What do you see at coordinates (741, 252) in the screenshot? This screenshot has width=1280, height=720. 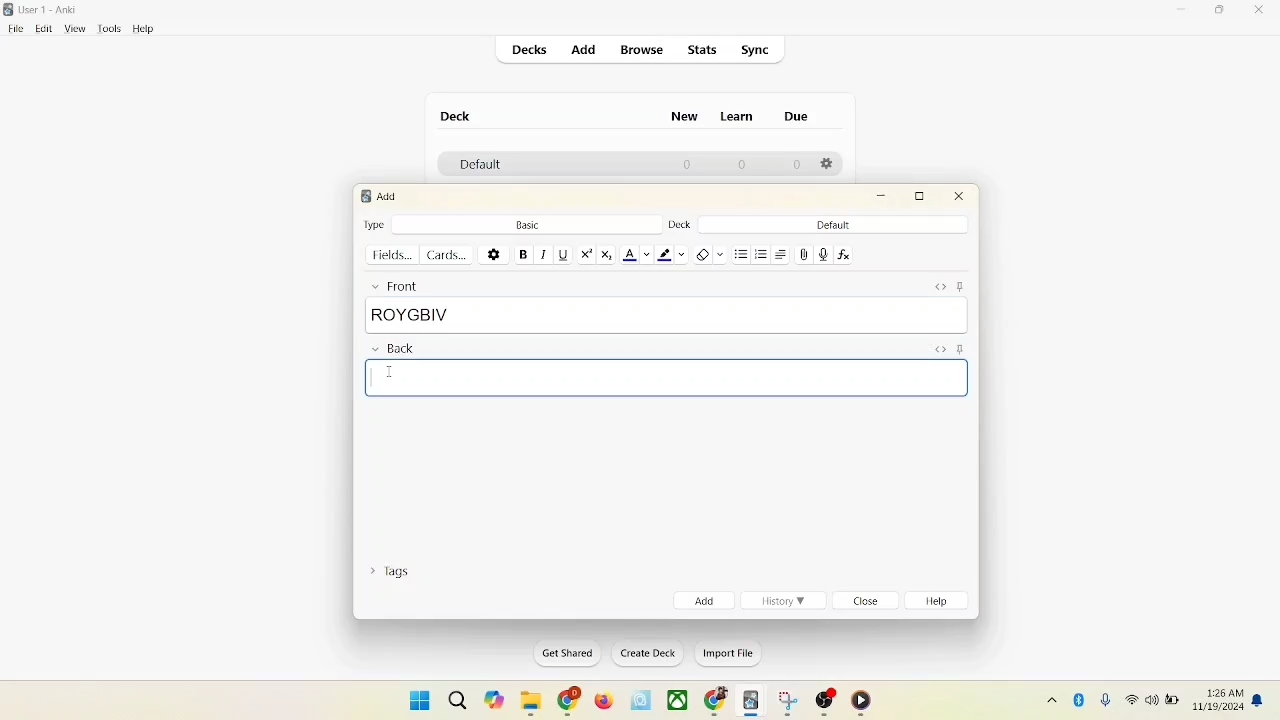 I see `unordered list` at bounding box center [741, 252].